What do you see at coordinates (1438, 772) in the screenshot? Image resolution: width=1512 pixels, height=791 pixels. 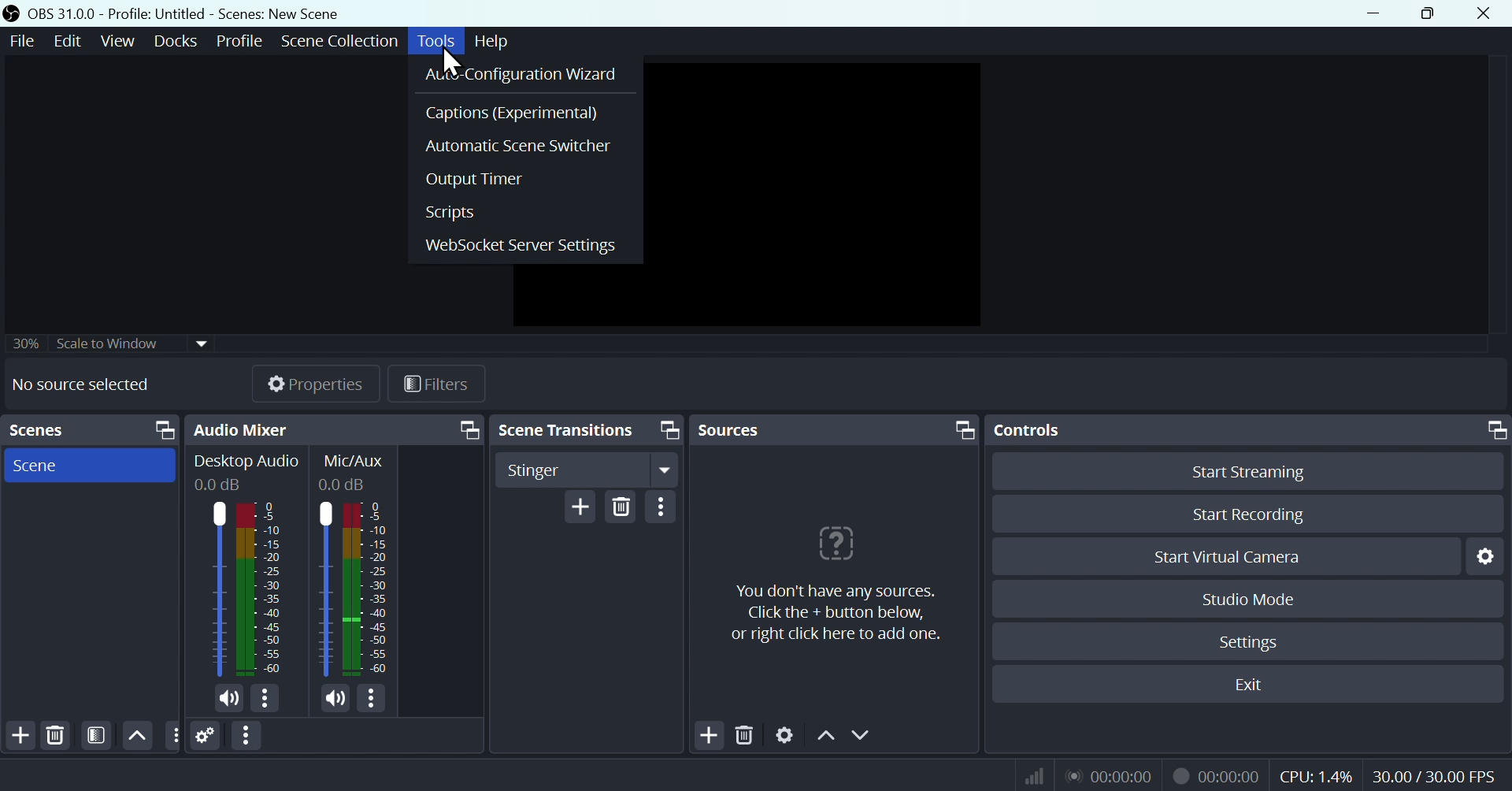 I see `30.00/60.00 FPS` at bounding box center [1438, 772].